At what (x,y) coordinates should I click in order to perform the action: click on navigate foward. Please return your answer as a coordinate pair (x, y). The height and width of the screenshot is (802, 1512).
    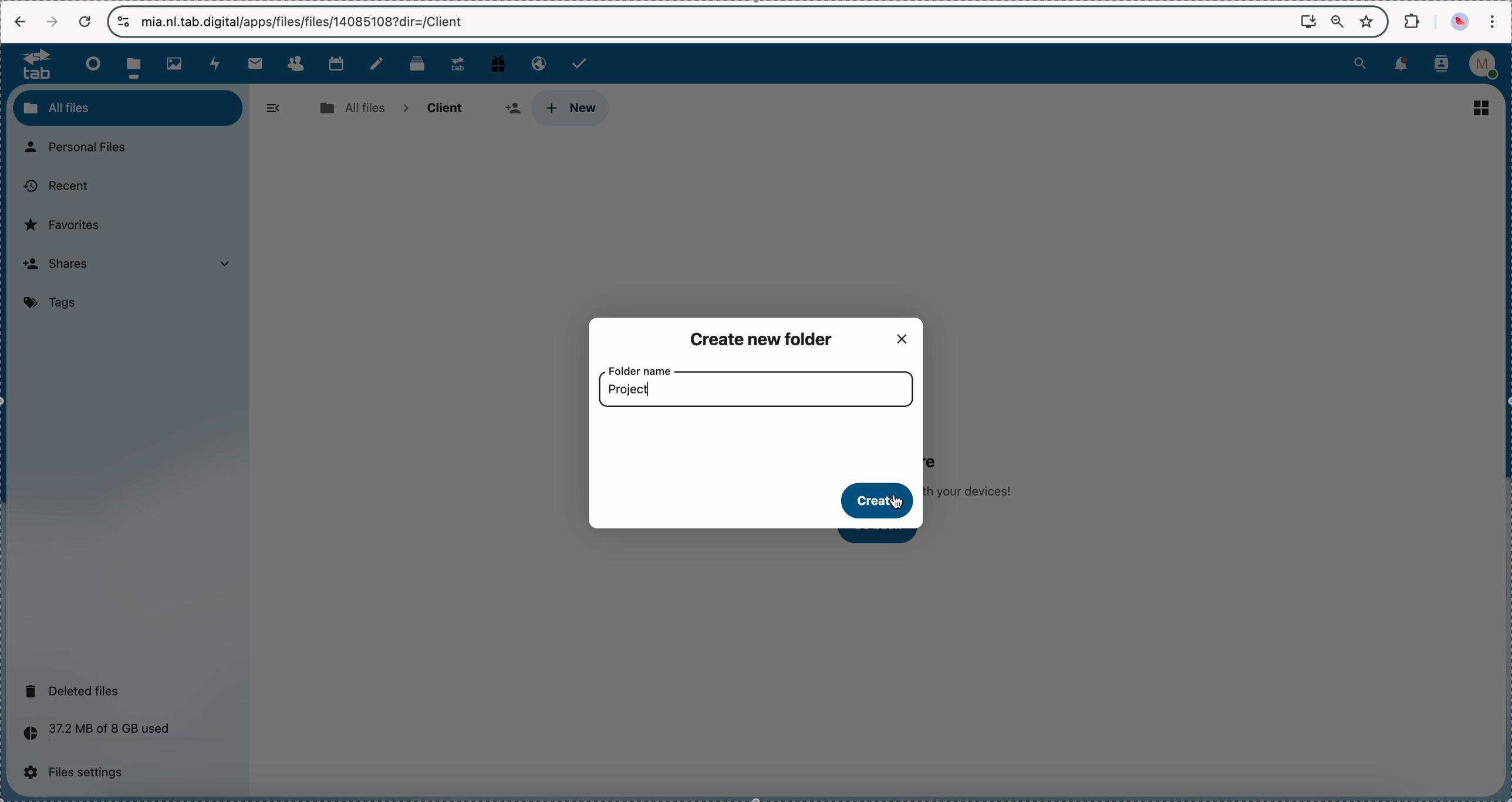
    Looking at the image, I should click on (52, 22).